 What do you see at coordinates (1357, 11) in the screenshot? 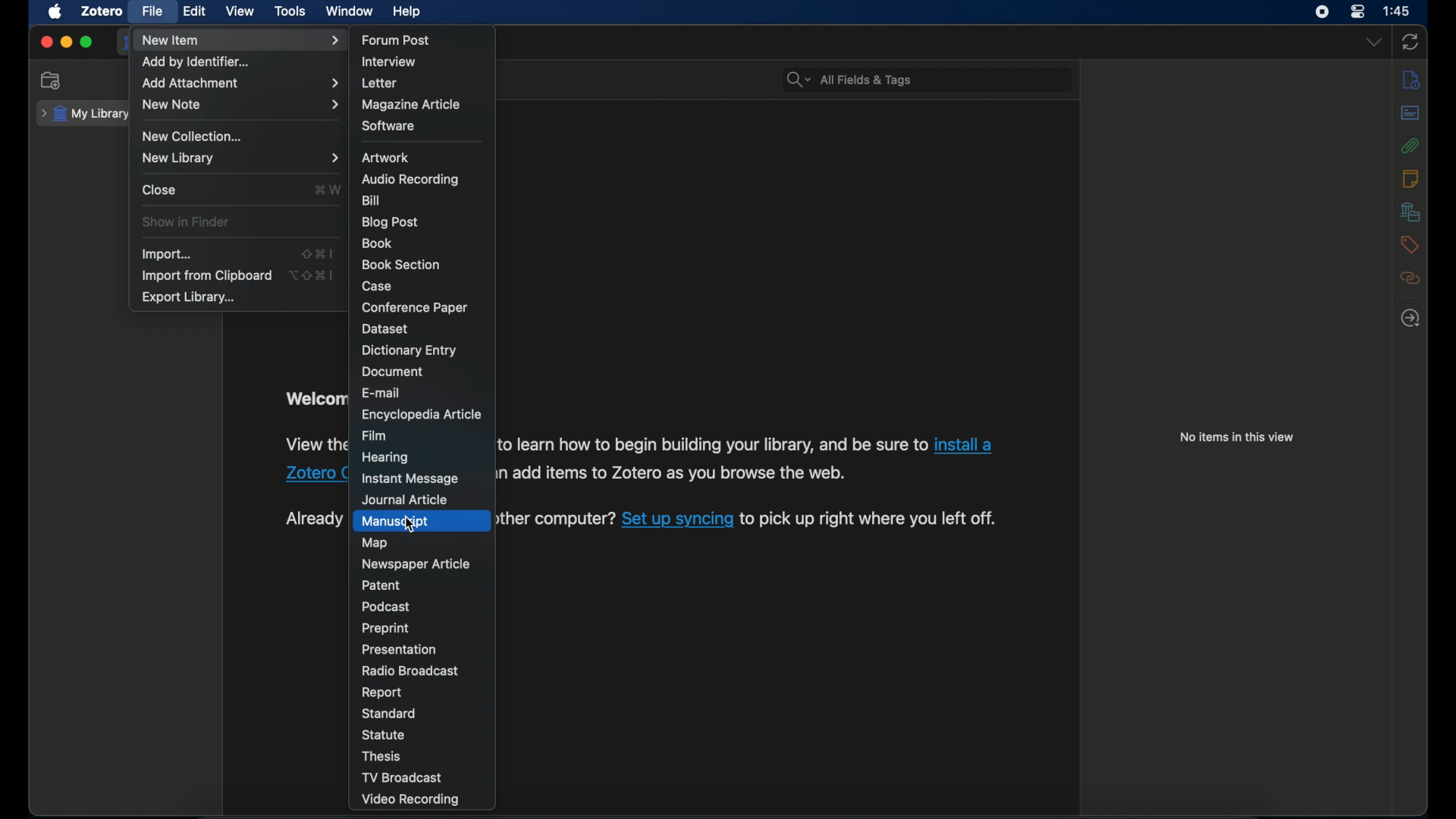
I see `control center` at bounding box center [1357, 11].